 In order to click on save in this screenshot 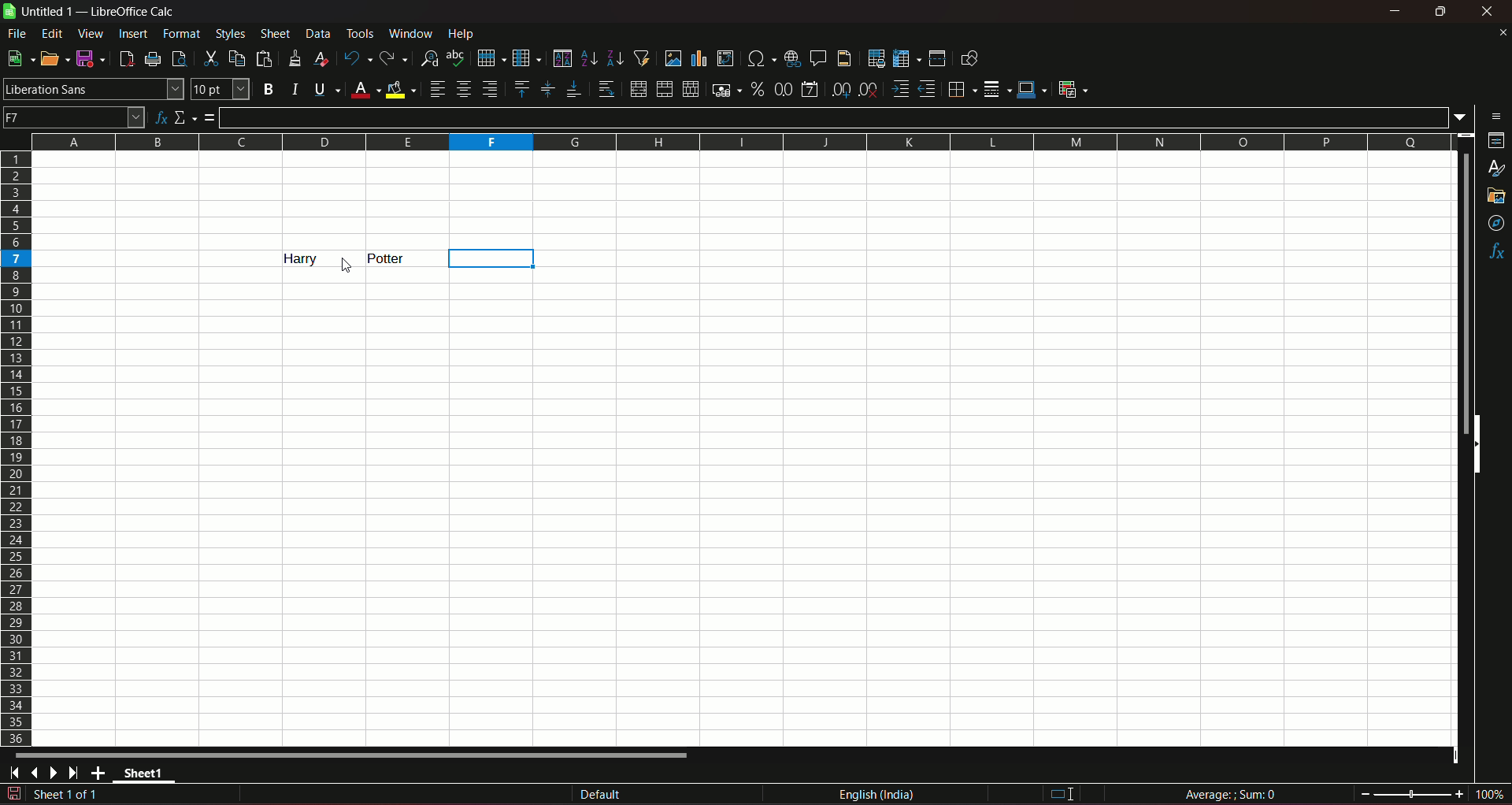, I will do `click(87, 57)`.